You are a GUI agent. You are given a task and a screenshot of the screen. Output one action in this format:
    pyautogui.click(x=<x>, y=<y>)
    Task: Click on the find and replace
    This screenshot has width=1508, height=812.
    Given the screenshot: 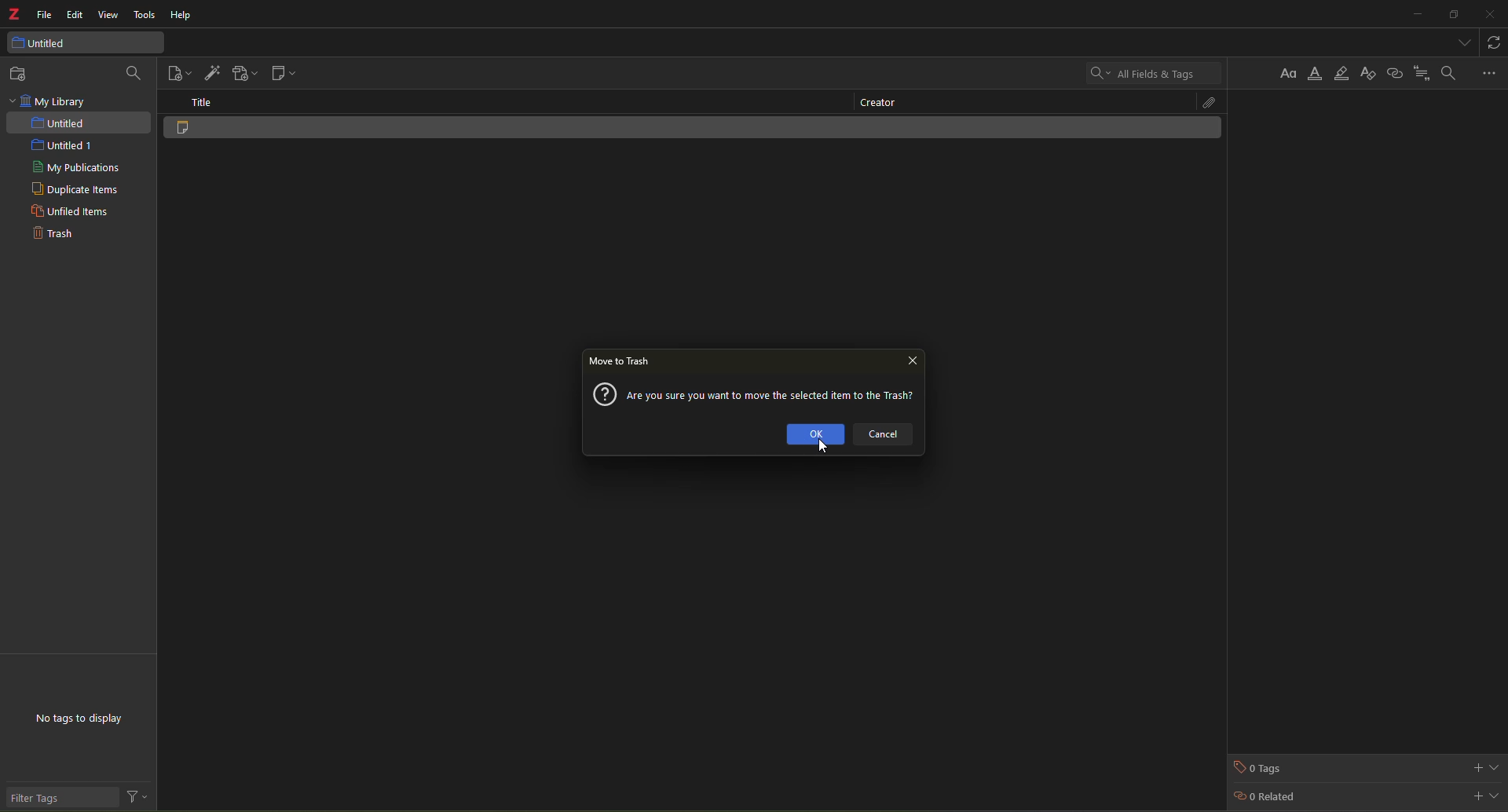 What is the action you would take?
    pyautogui.click(x=1448, y=72)
    